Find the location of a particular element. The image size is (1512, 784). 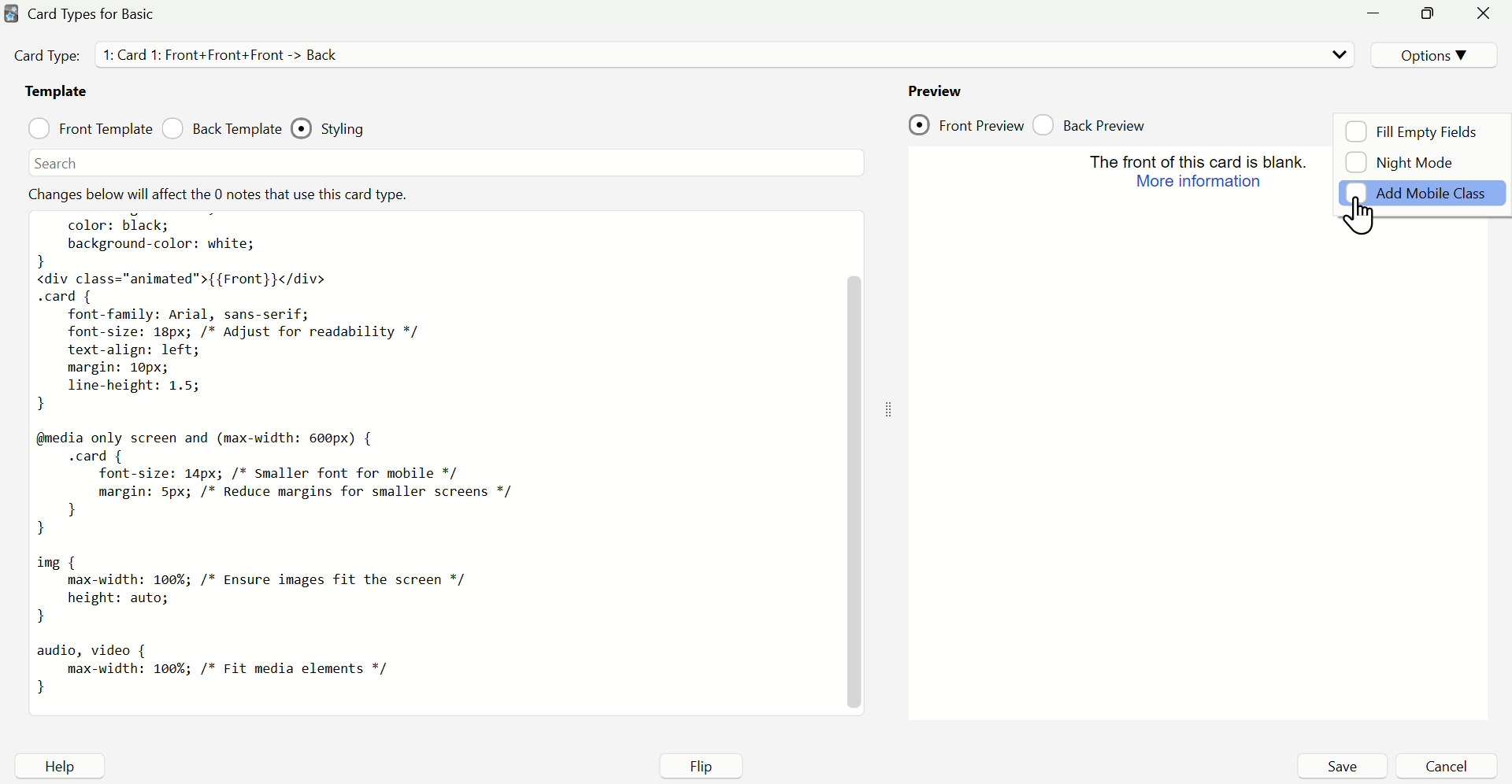

Dropdown is located at coordinates (1336, 54).